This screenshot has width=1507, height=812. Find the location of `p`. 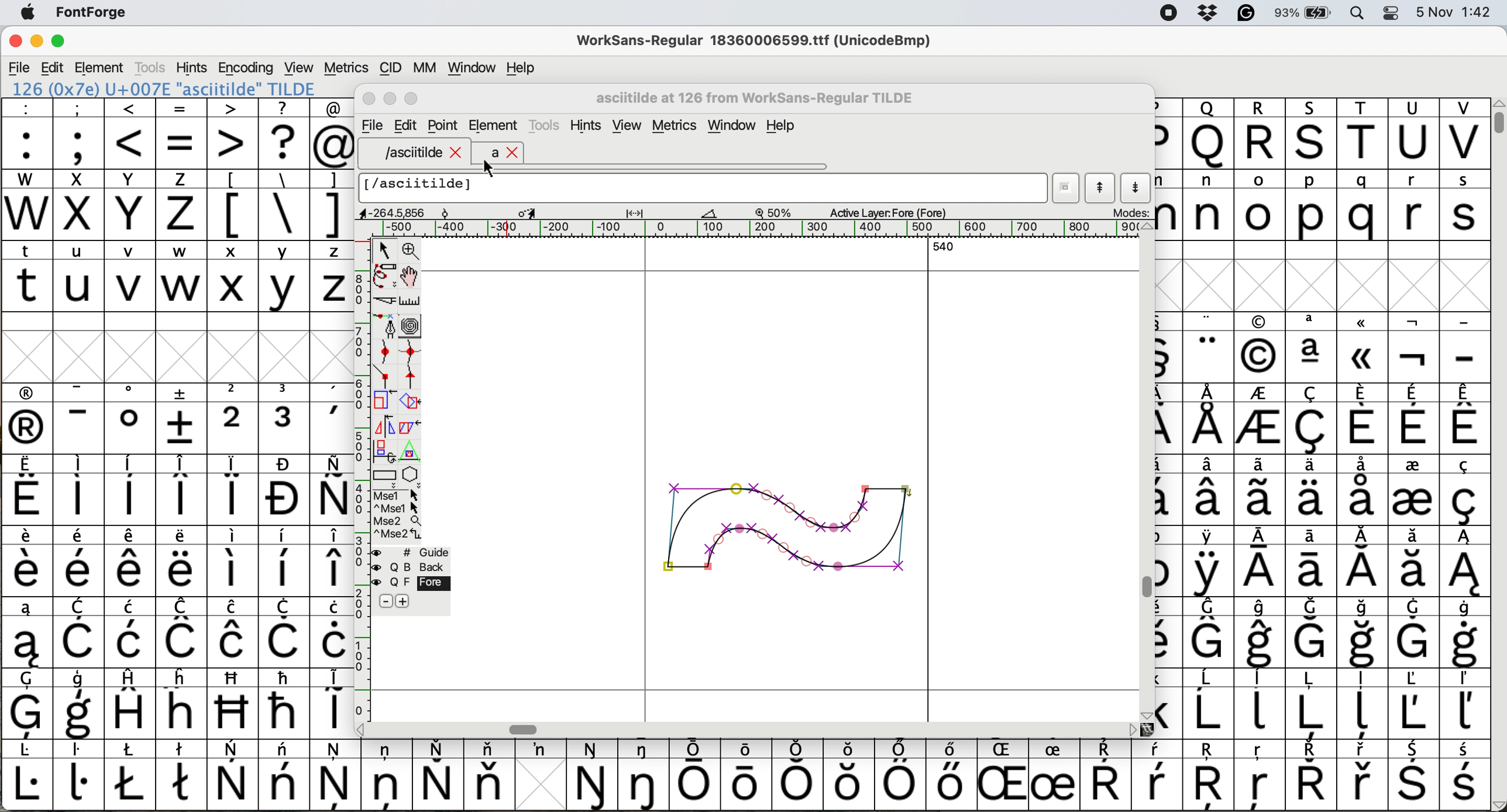

p is located at coordinates (1312, 207).